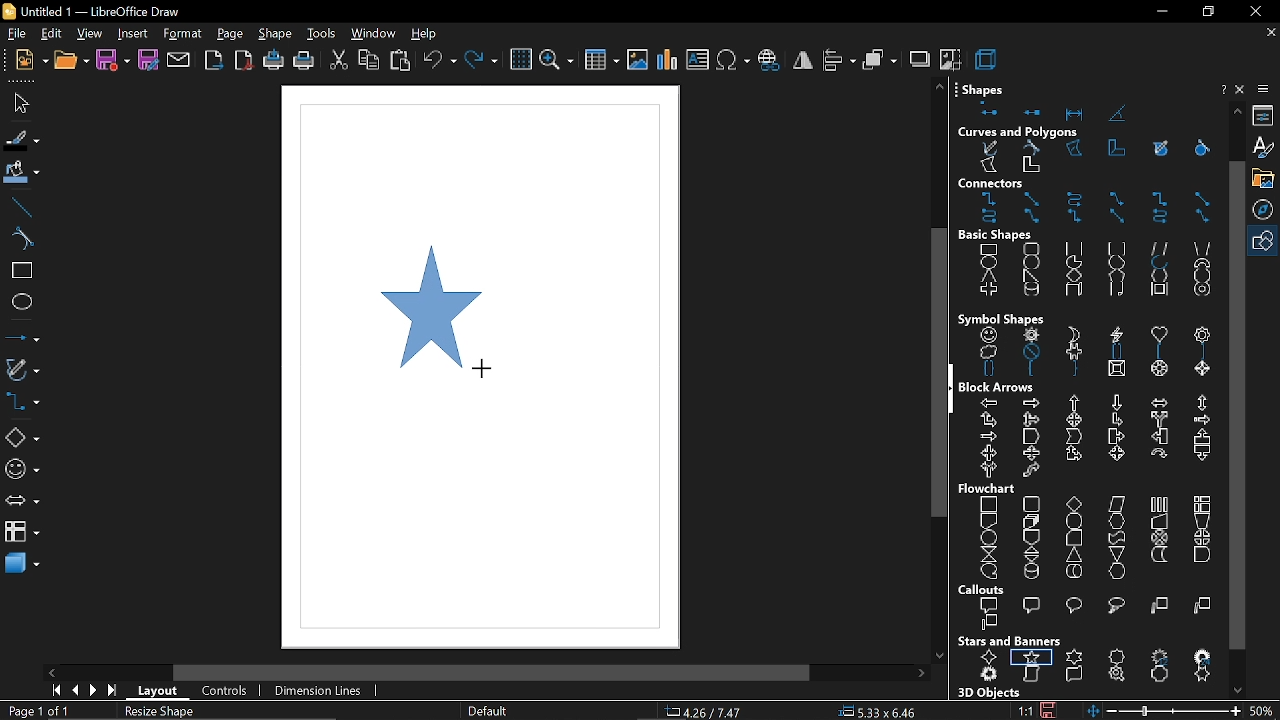 The image size is (1280, 720). I want to click on move down, so click(1238, 689).